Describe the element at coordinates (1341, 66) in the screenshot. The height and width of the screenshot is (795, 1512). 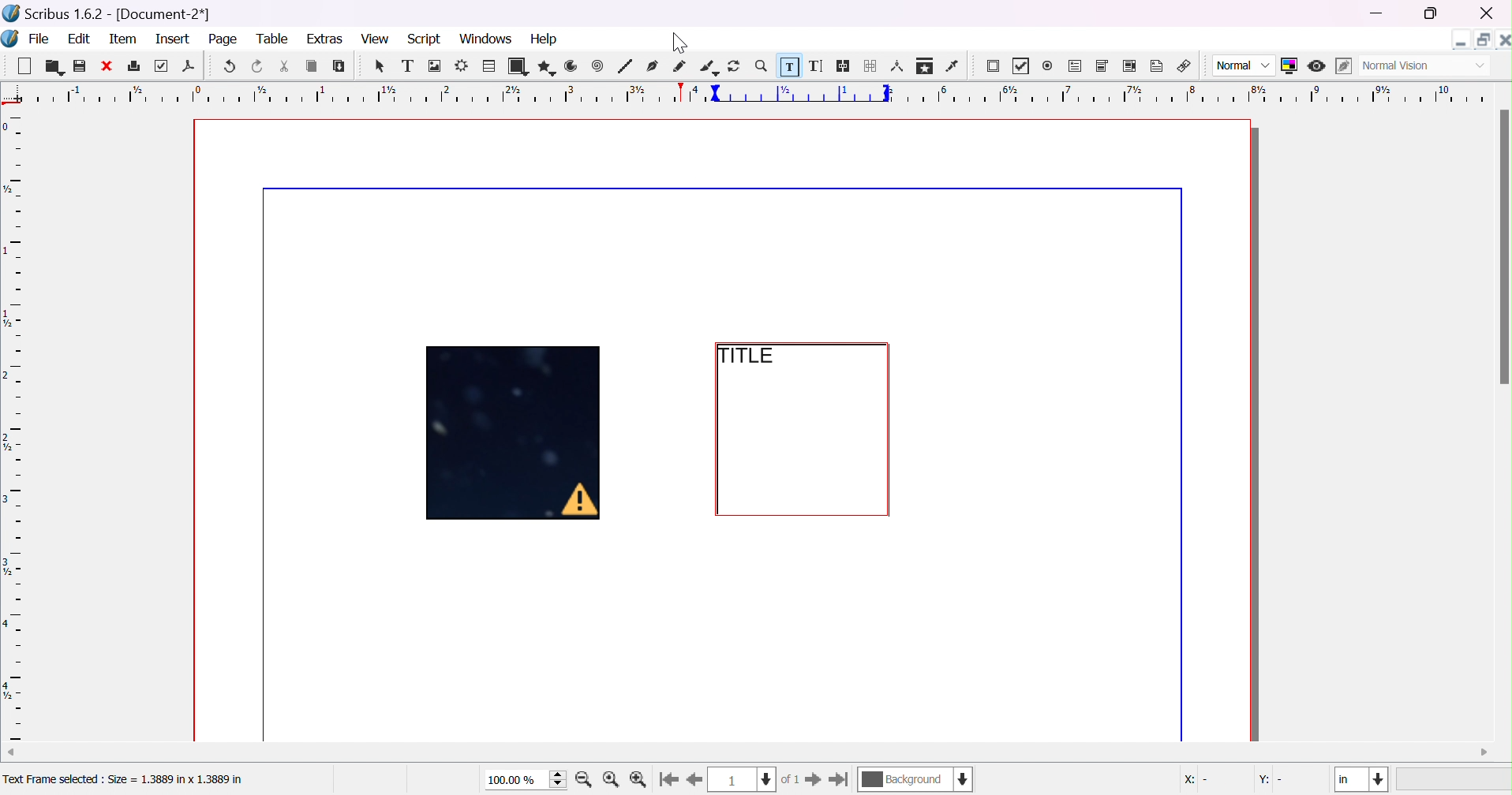
I see `edit in preview mode` at that location.